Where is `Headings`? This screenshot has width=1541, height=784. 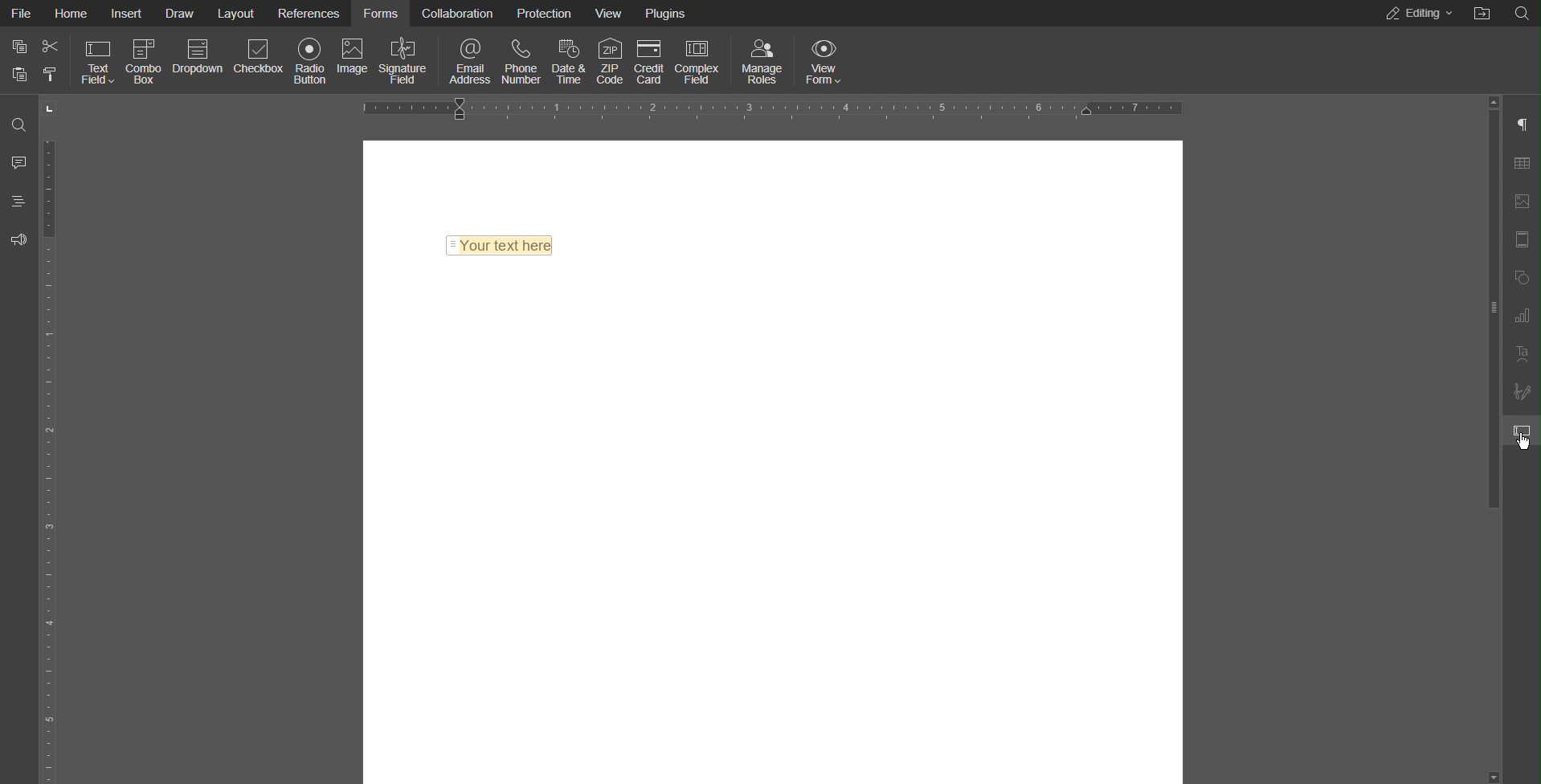 Headings is located at coordinates (20, 201).